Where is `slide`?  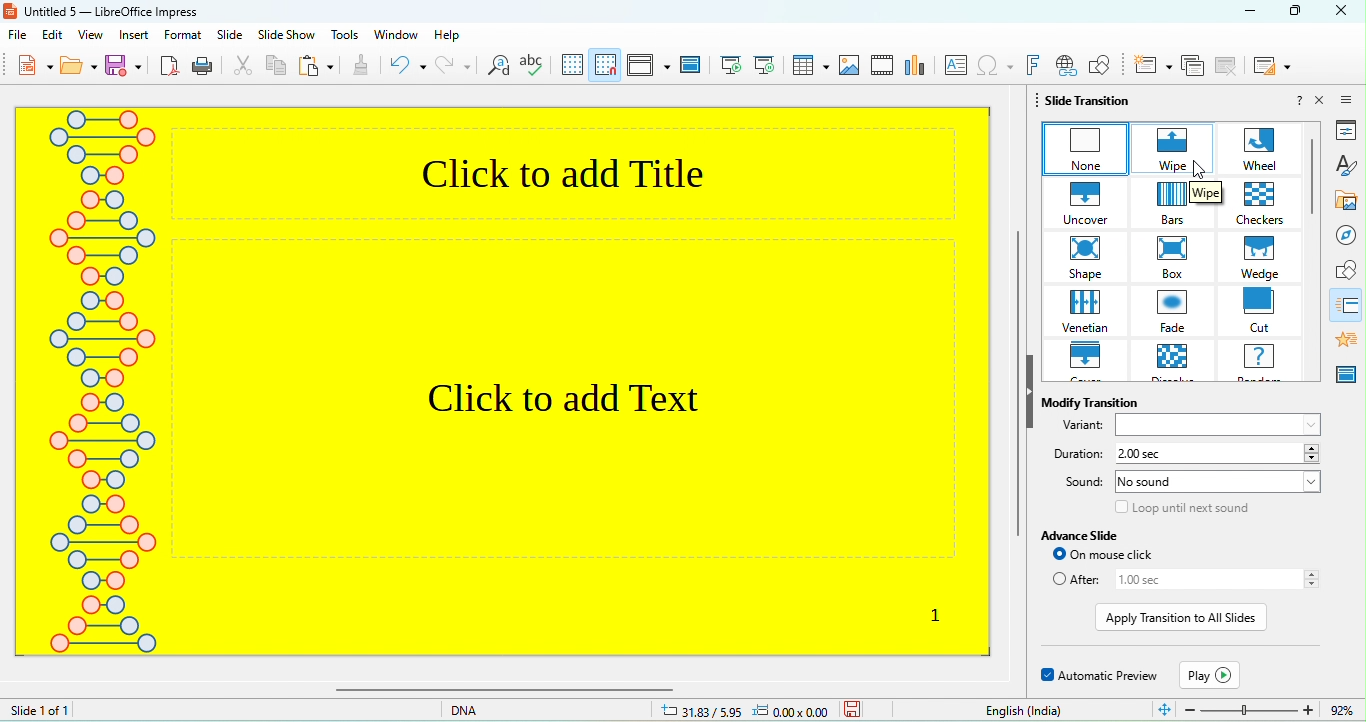 slide is located at coordinates (232, 36).